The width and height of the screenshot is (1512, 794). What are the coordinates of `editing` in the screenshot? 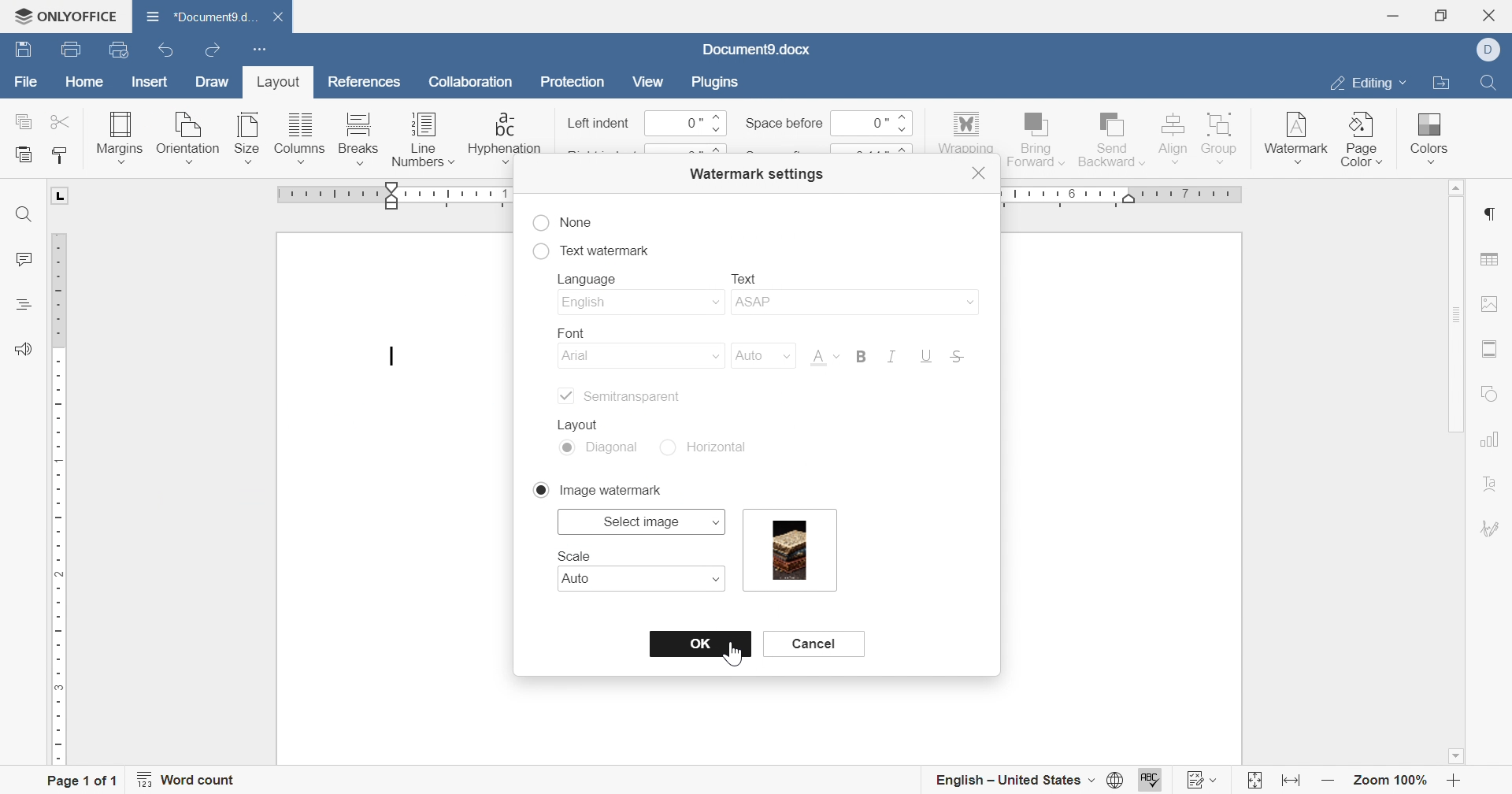 It's located at (1365, 86).